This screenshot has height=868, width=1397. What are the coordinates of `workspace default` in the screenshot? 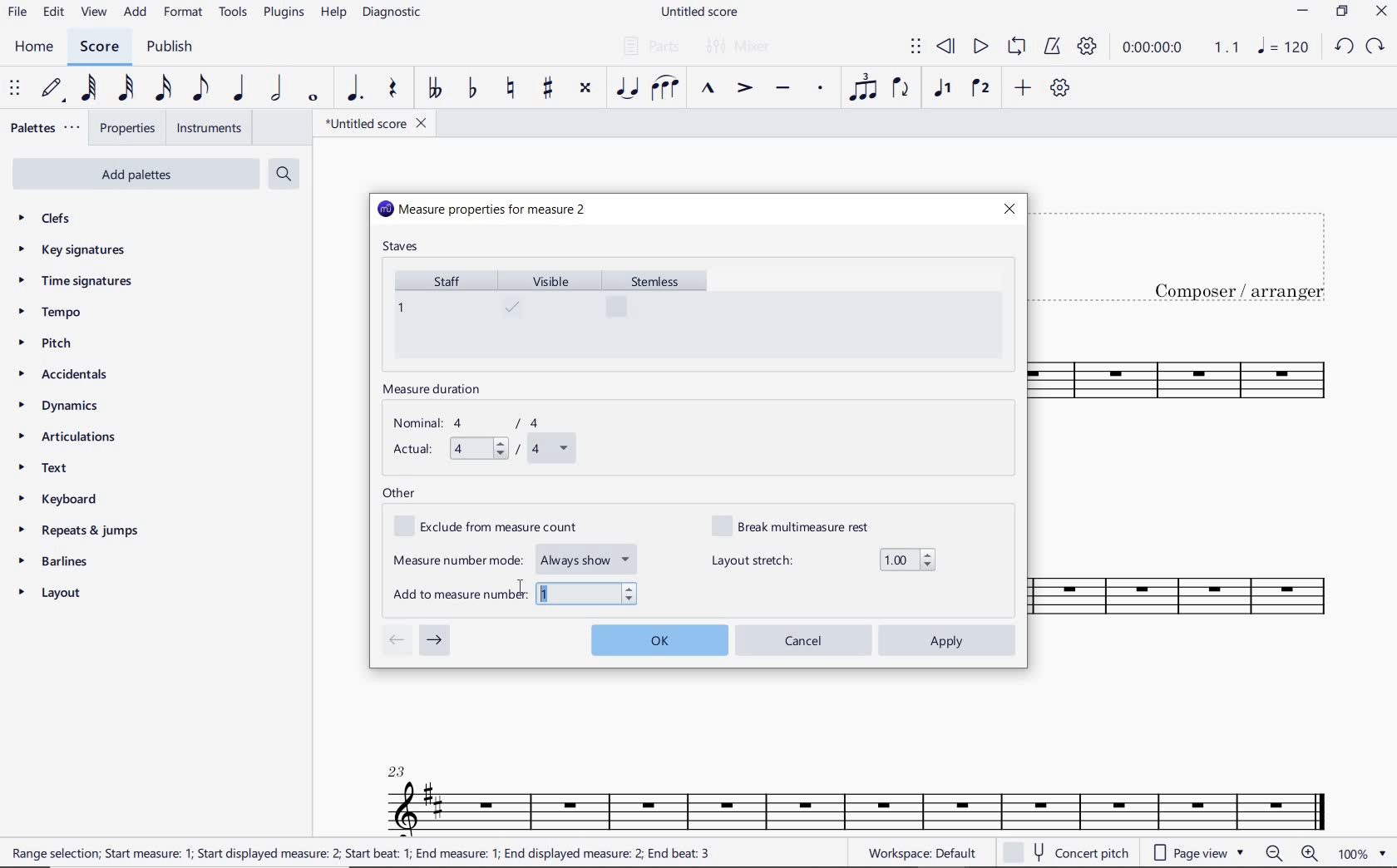 It's located at (921, 855).